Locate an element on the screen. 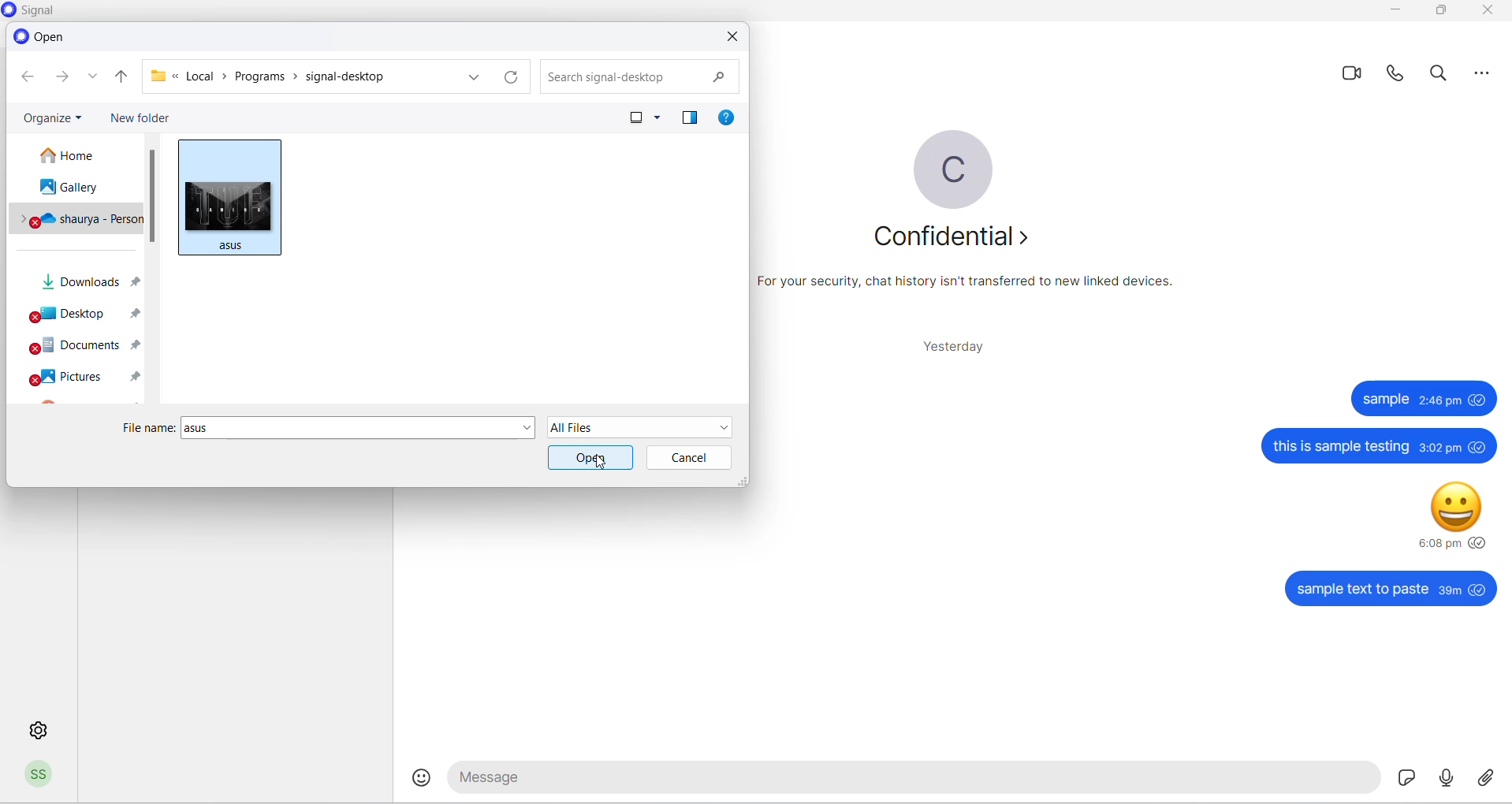 The height and width of the screenshot is (804, 1512). seen is located at coordinates (1479, 589).